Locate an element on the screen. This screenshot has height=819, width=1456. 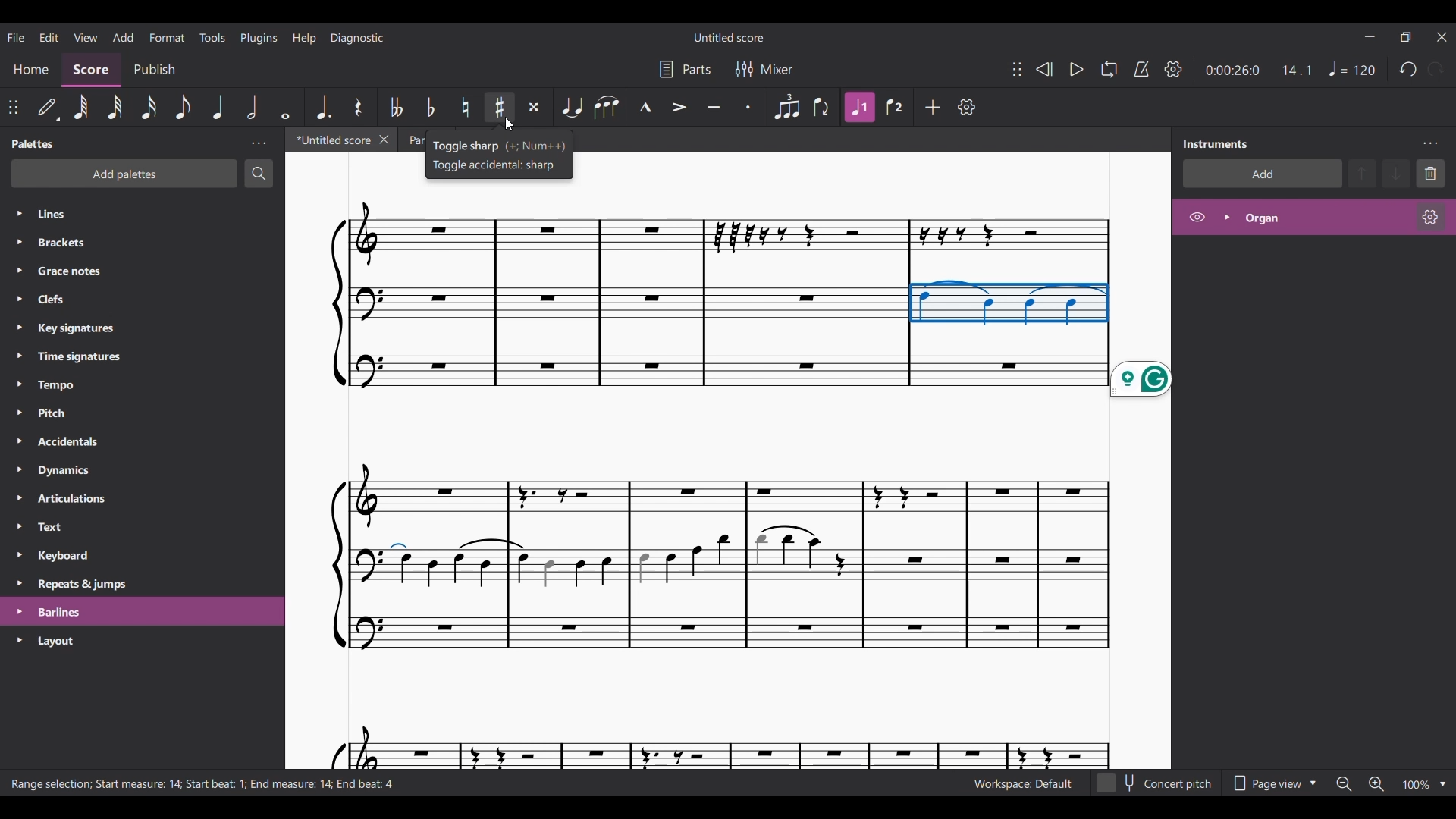
Move selection down is located at coordinates (1396, 174).